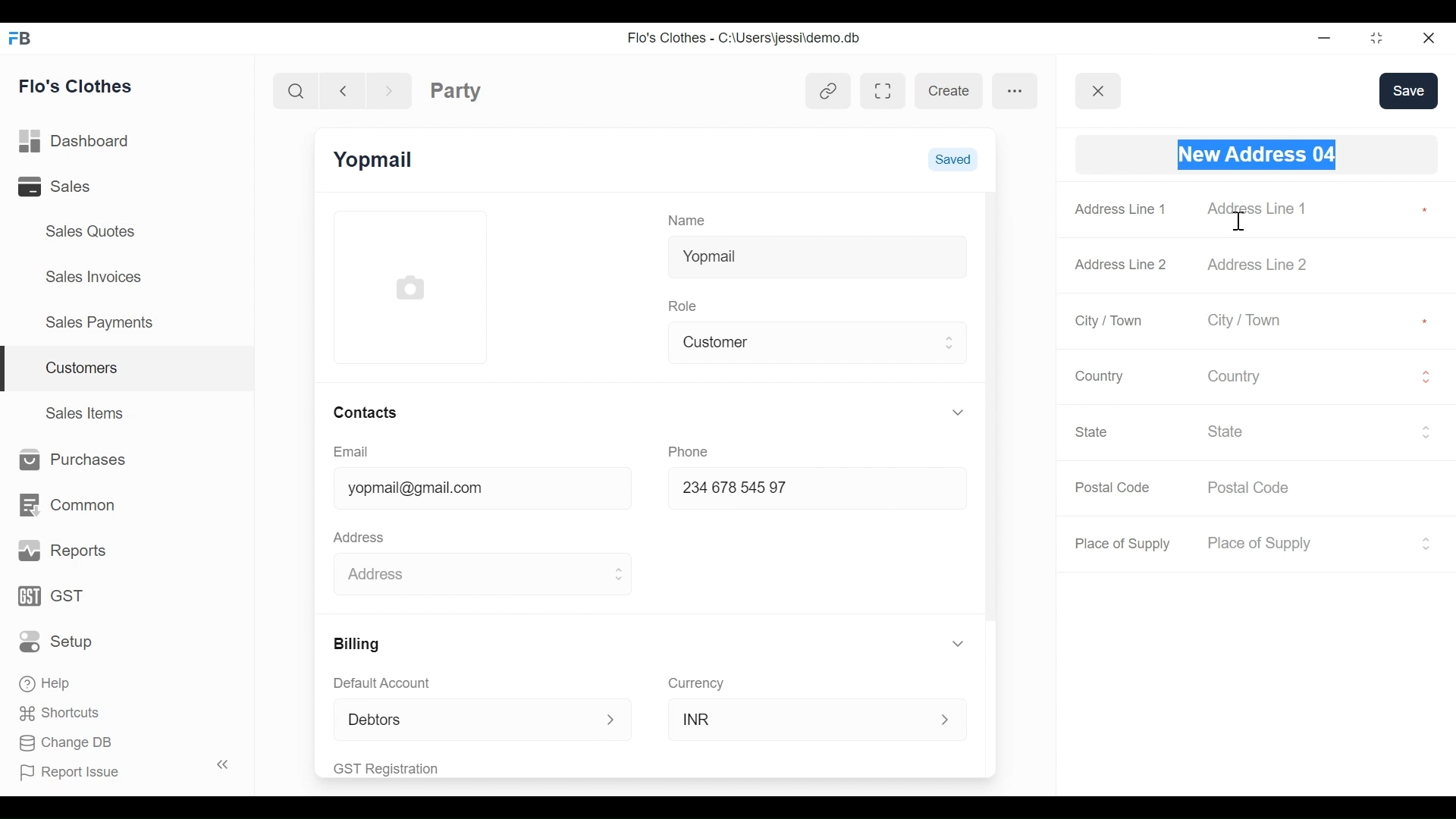  What do you see at coordinates (617, 575) in the screenshot?
I see `Expand` at bounding box center [617, 575].